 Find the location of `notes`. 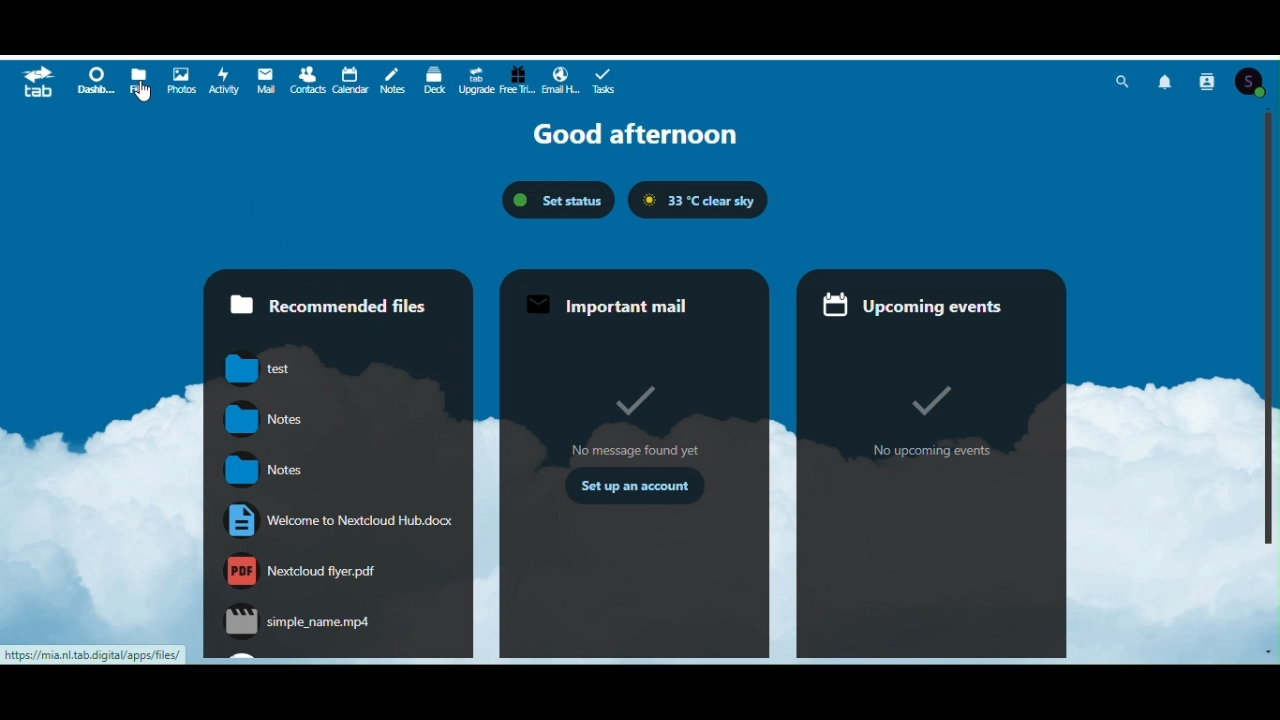

notes is located at coordinates (264, 418).